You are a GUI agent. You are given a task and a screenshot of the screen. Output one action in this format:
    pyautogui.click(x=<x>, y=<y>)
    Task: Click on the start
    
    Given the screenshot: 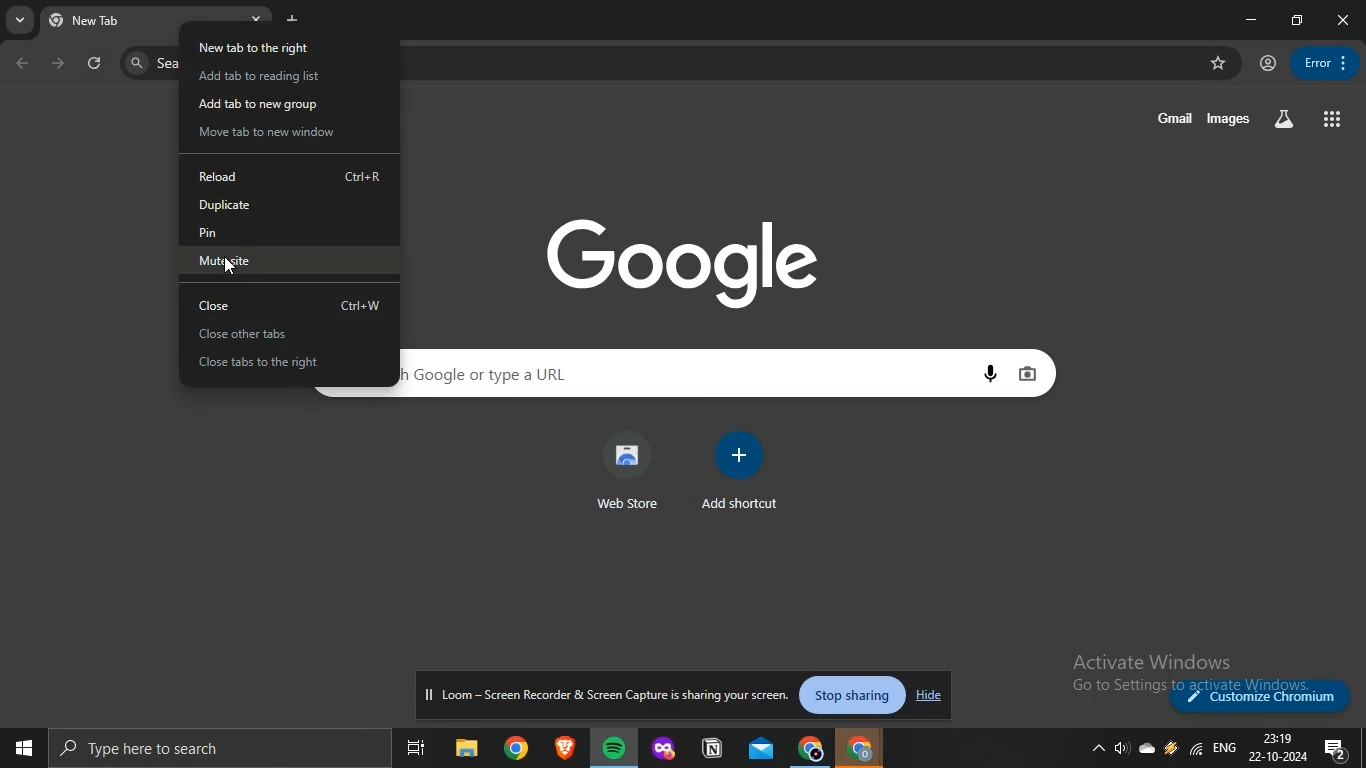 What is the action you would take?
    pyautogui.click(x=21, y=745)
    